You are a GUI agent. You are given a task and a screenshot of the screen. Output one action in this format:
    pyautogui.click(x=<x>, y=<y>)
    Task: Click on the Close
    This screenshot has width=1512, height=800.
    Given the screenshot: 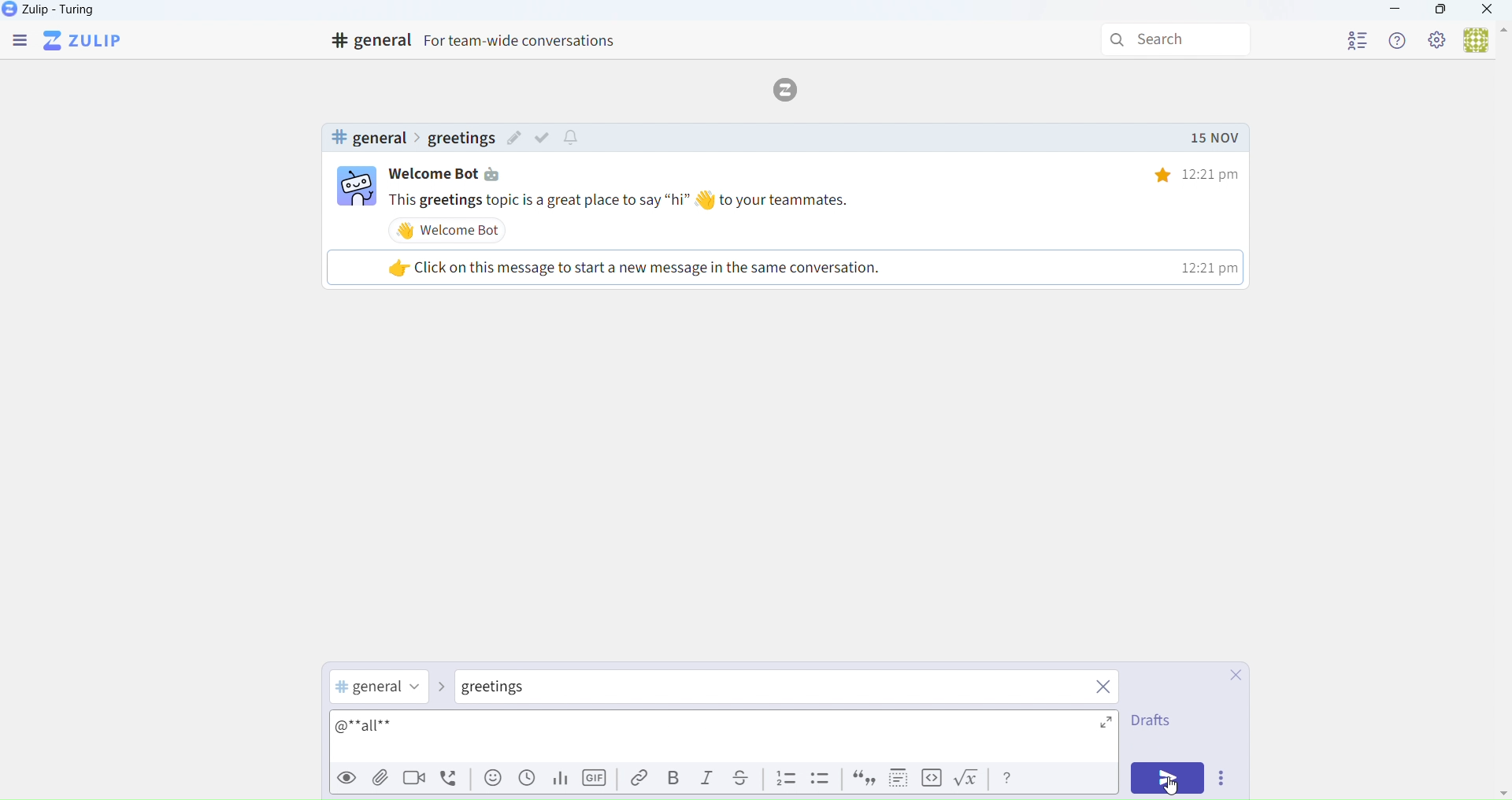 What is the action you would take?
    pyautogui.click(x=1488, y=11)
    